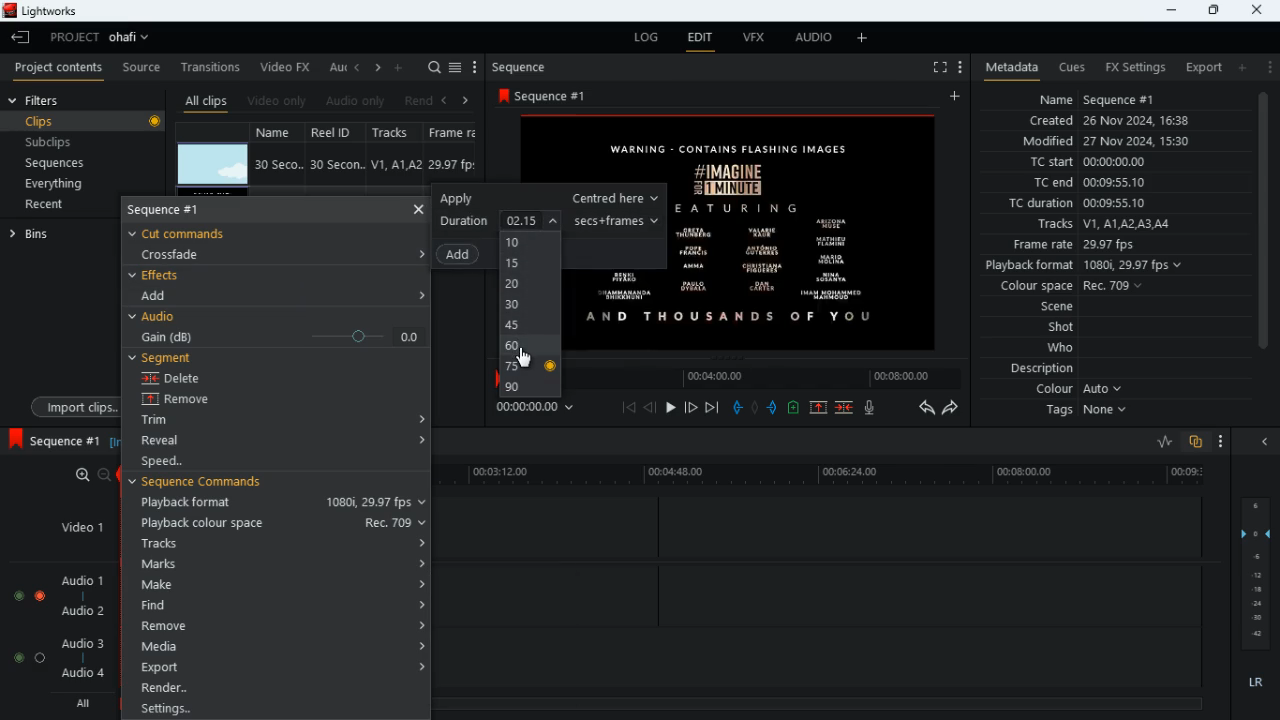 The height and width of the screenshot is (720, 1280). I want to click on cues, so click(1072, 67).